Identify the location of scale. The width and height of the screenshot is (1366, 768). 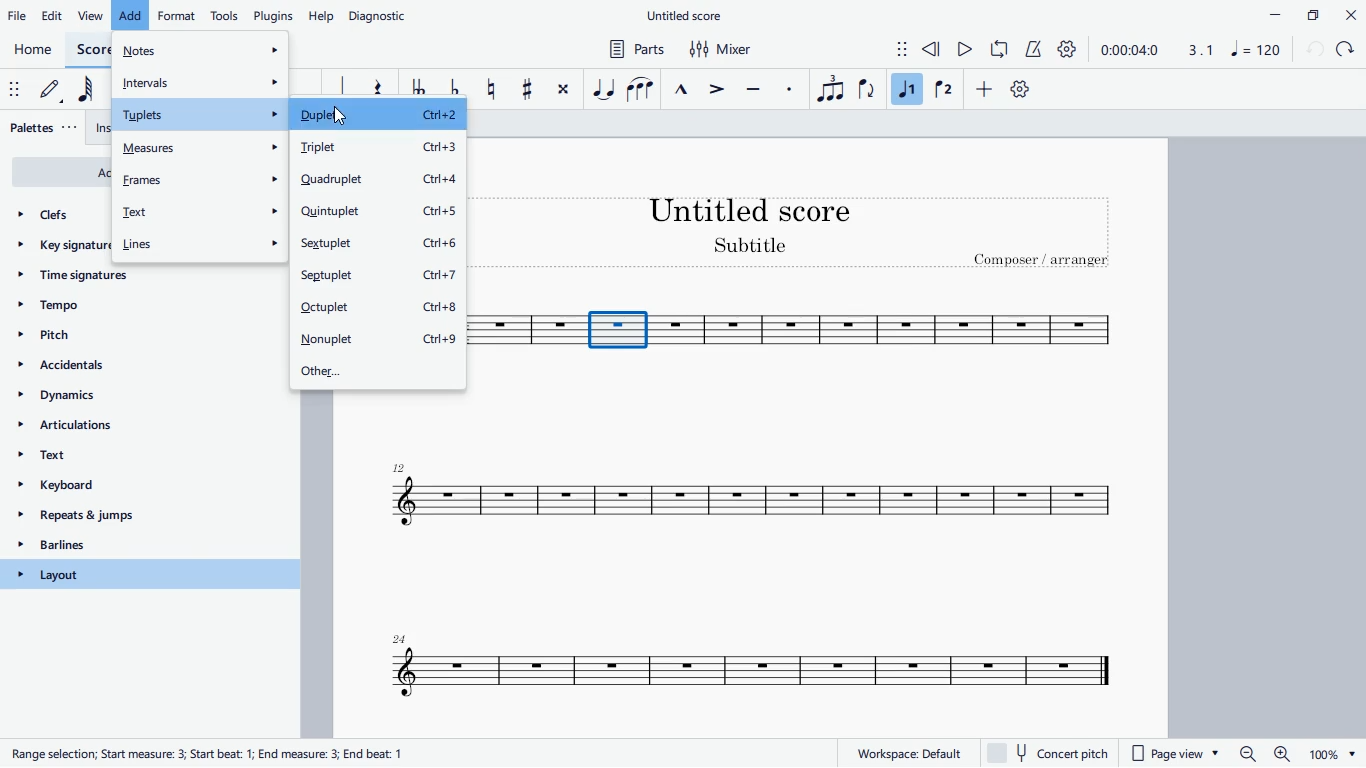
(1228, 49).